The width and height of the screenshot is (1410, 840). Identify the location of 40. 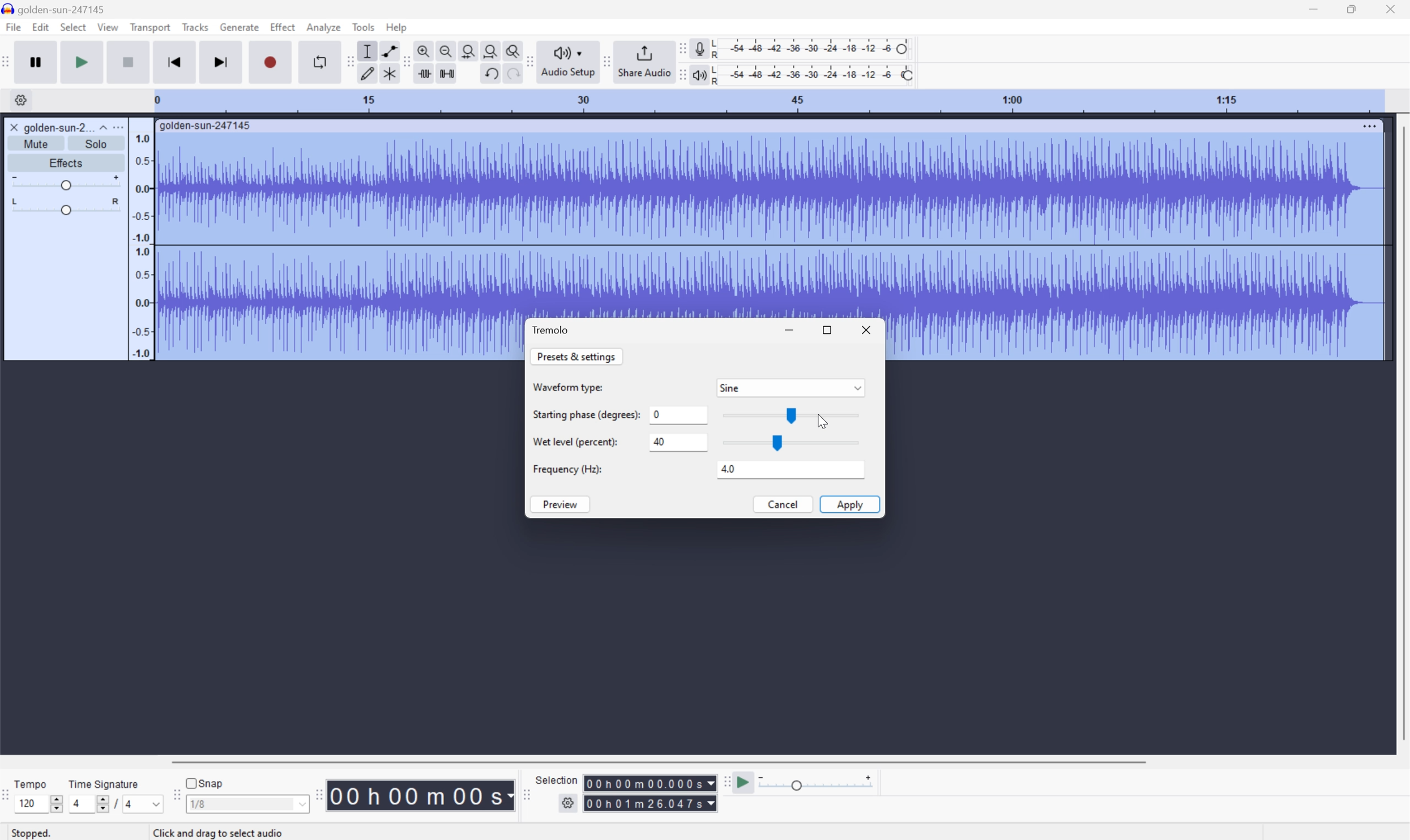
(681, 444).